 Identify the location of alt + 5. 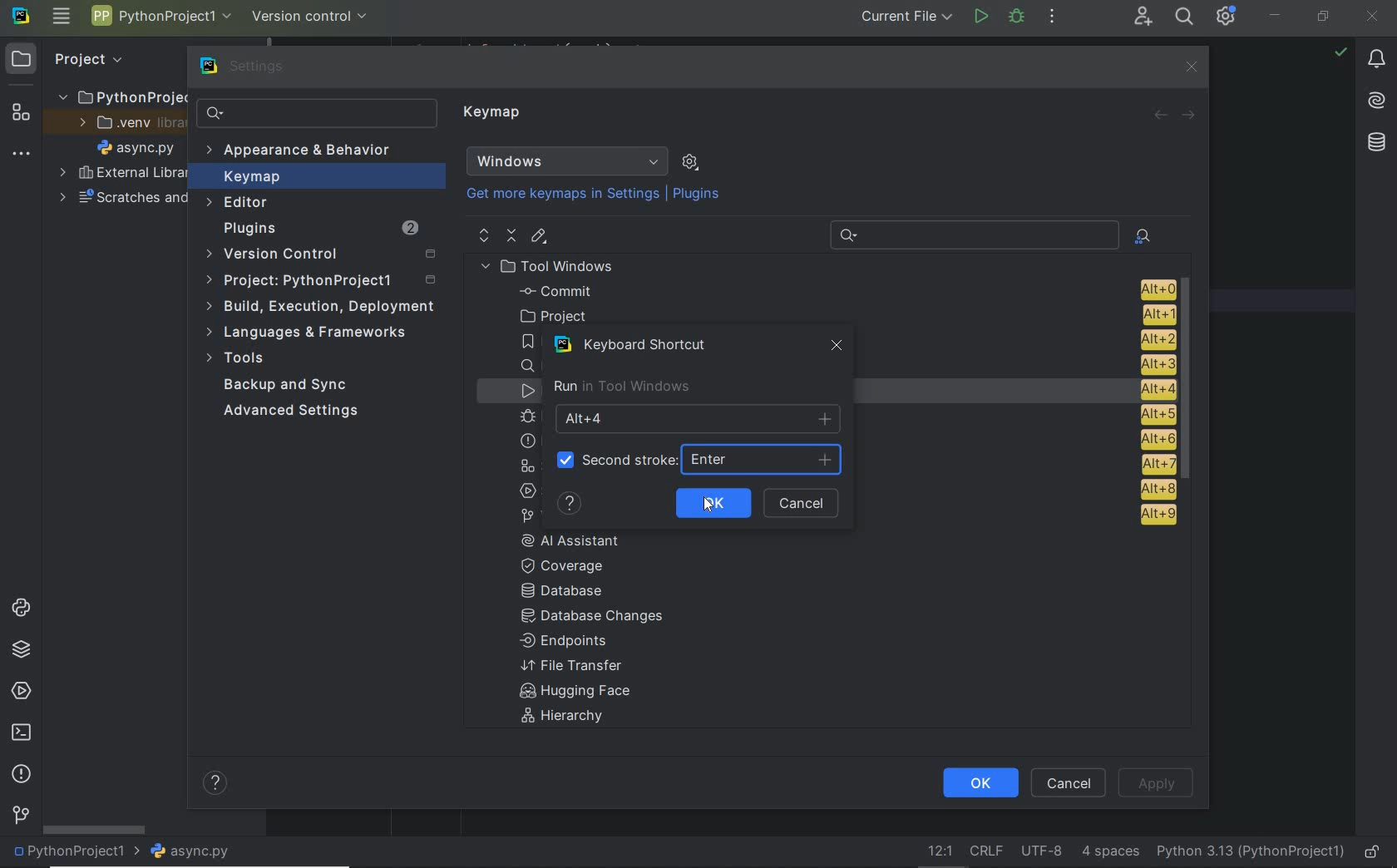
(1155, 415).